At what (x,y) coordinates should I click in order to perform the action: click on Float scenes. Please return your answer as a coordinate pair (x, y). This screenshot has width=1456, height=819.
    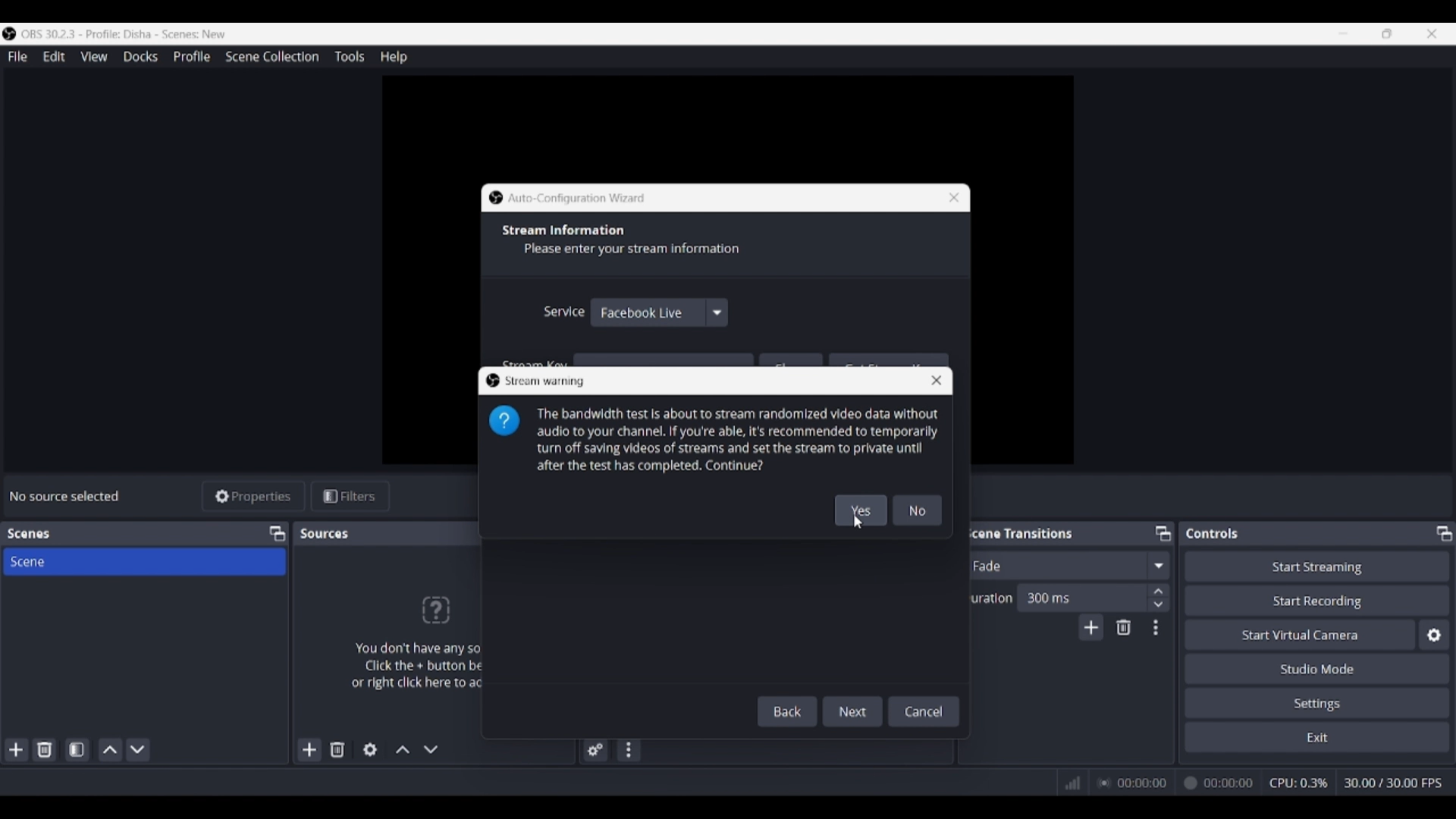
    Looking at the image, I should click on (277, 534).